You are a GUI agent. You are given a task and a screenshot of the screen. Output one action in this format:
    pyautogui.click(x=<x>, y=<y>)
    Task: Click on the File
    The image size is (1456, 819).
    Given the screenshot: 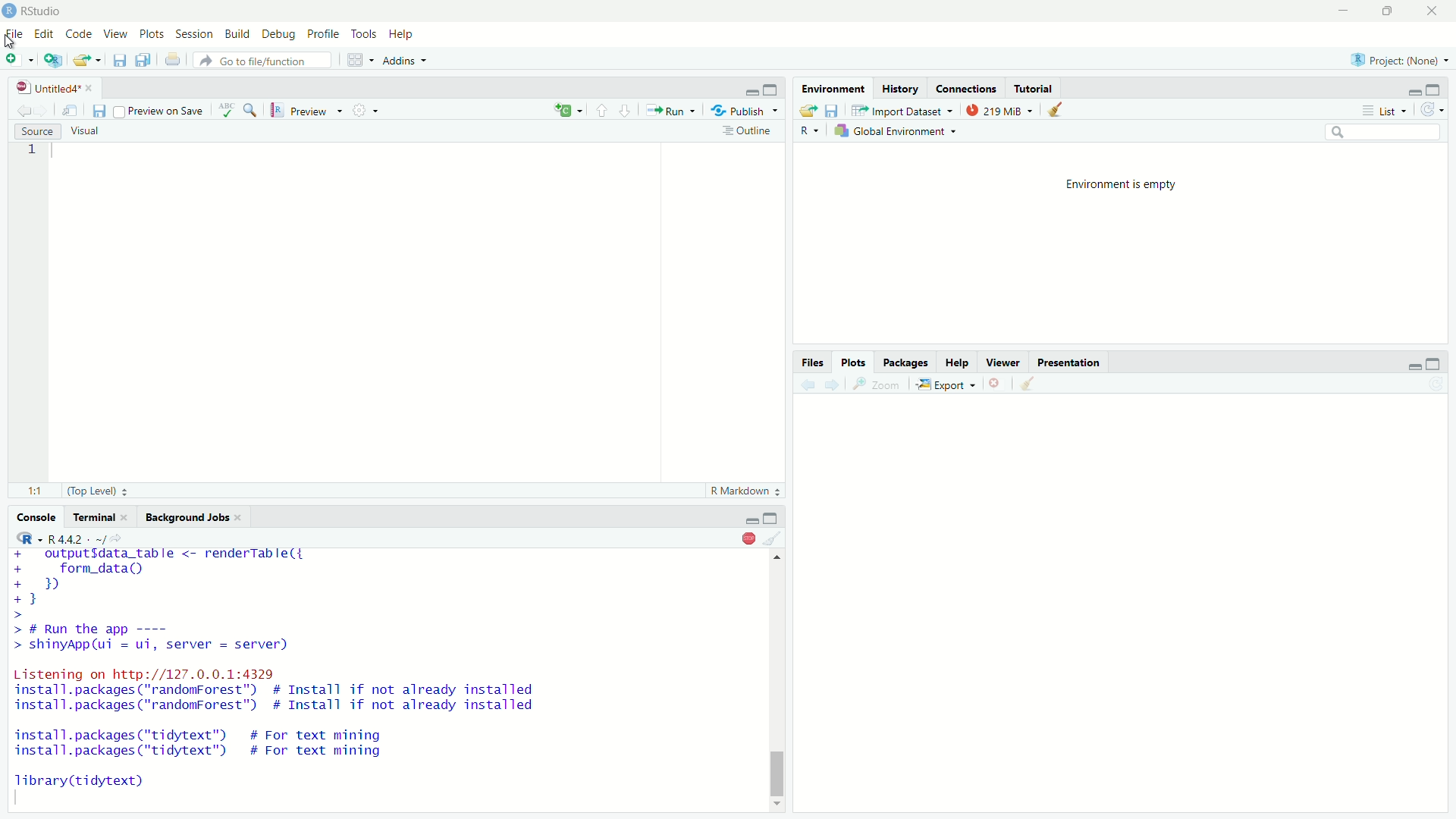 What is the action you would take?
    pyautogui.click(x=14, y=34)
    